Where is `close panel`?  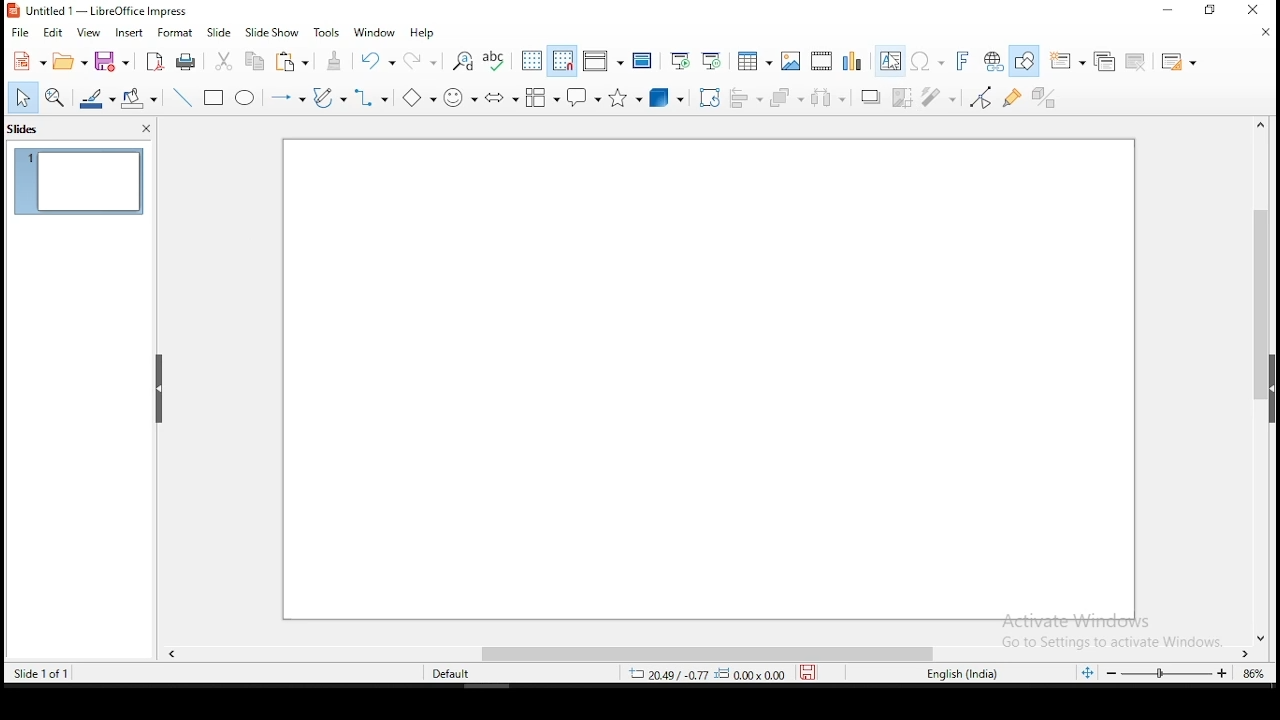 close panel is located at coordinates (147, 128).